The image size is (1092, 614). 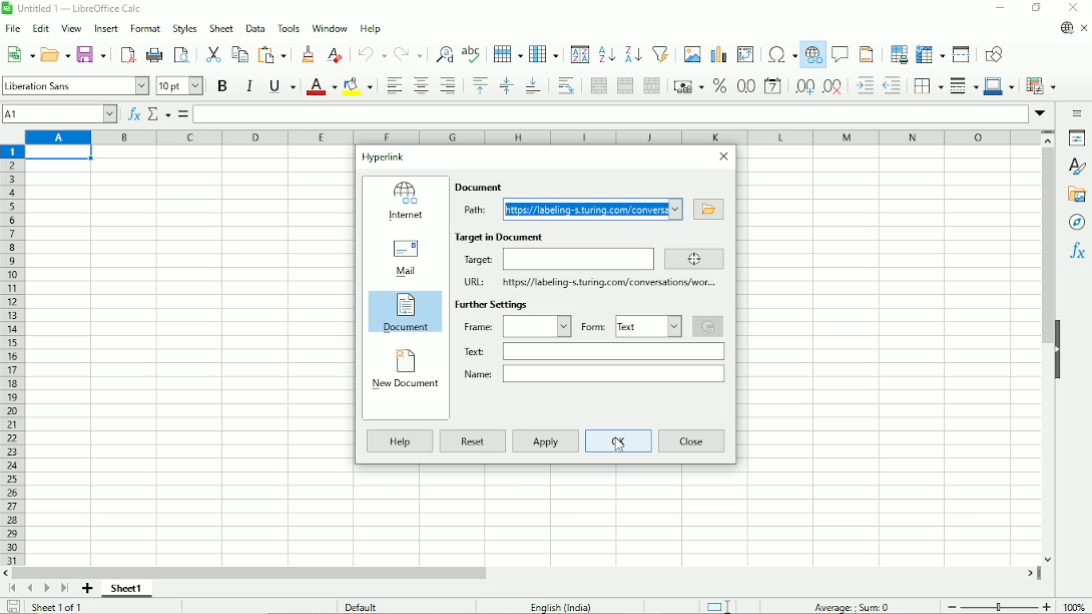 I want to click on Input, so click(x=535, y=326).